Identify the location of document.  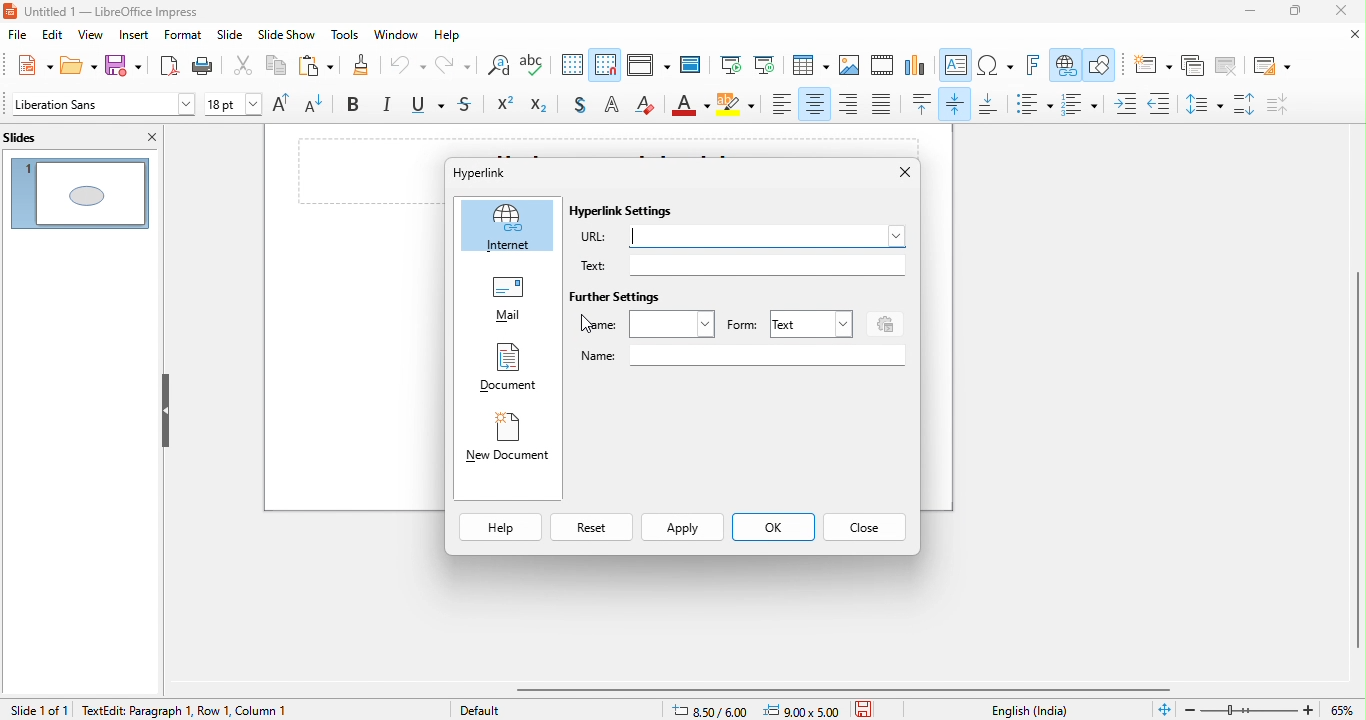
(507, 370).